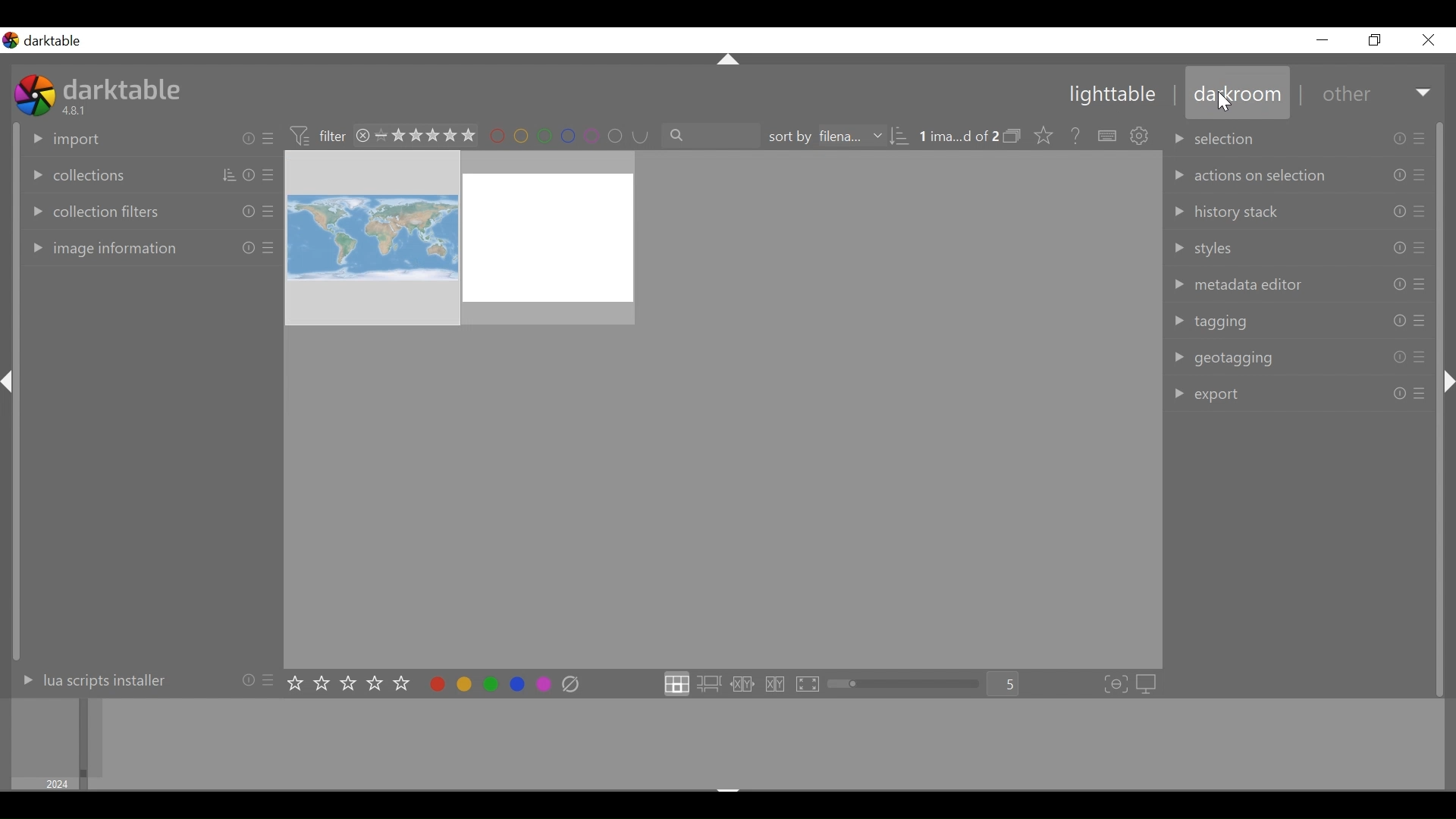 Image resolution: width=1456 pixels, height=819 pixels. Describe the element at coordinates (959, 135) in the screenshot. I see `Image 1 out of 2 selected` at that location.